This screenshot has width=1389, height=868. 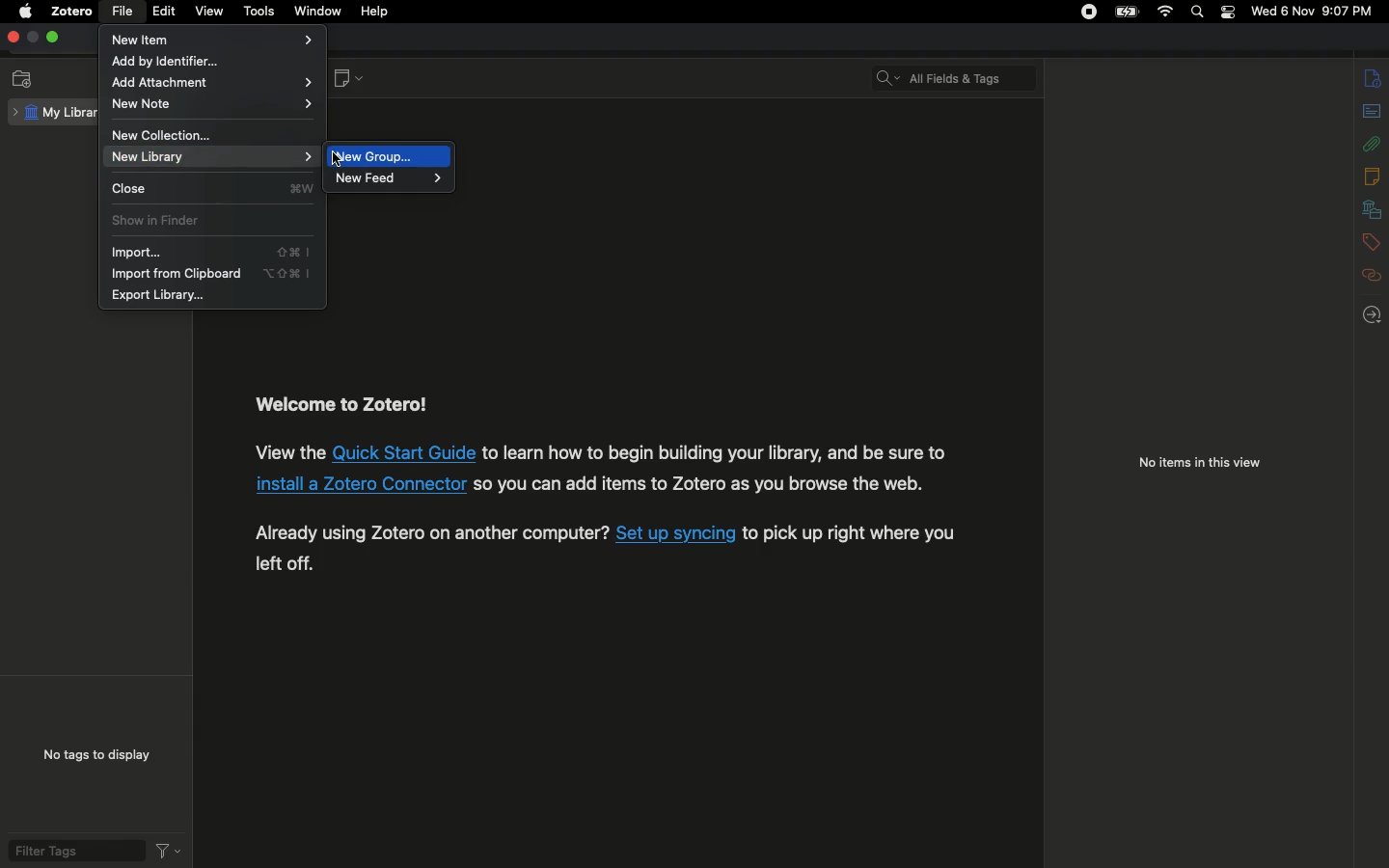 What do you see at coordinates (1372, 210) in the screenshot?
I see `Libraries and collections` at bounding box center [1372, 210].